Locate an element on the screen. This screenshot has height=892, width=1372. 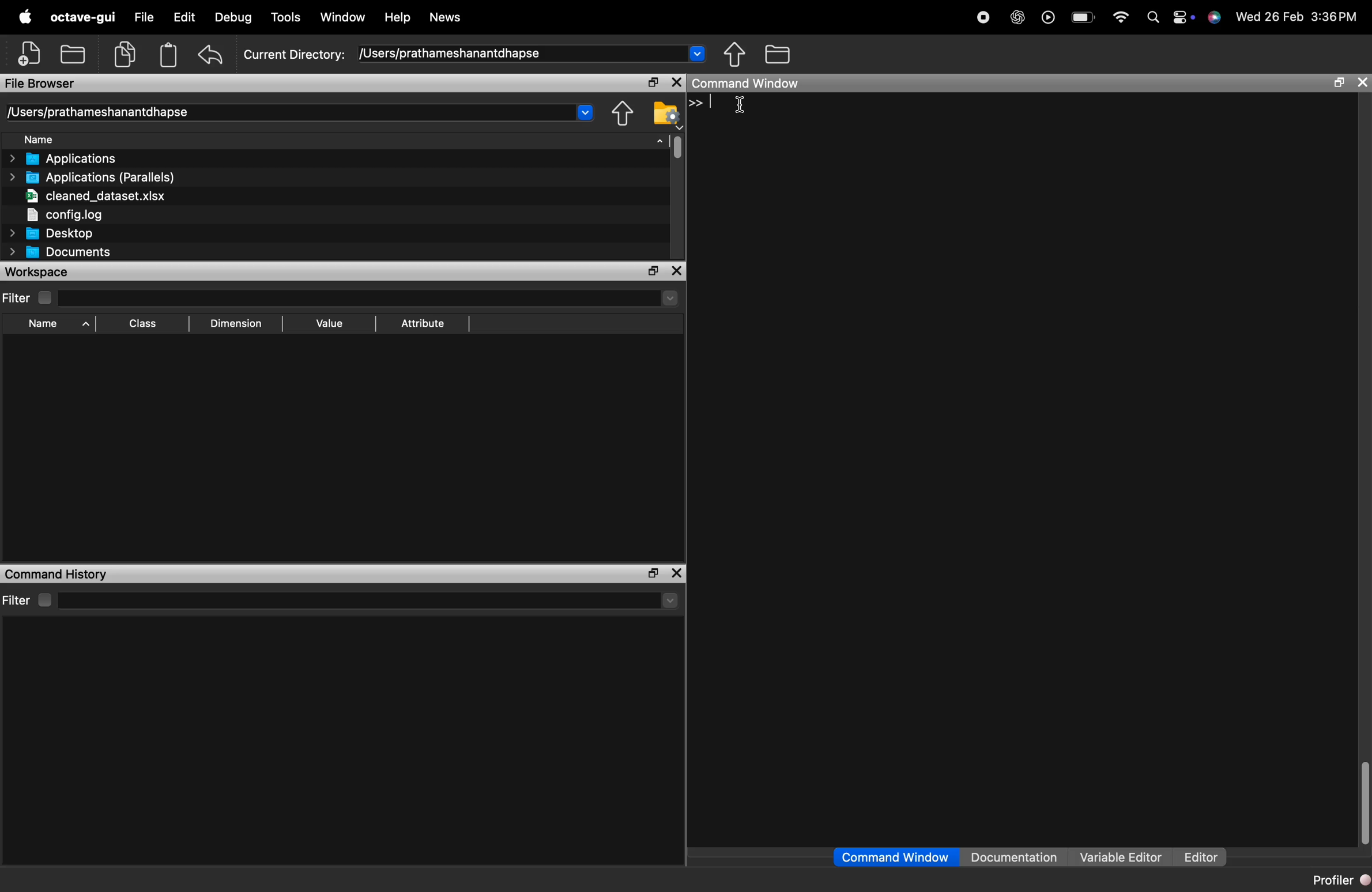
battery is located at coordinates (1086, 17).